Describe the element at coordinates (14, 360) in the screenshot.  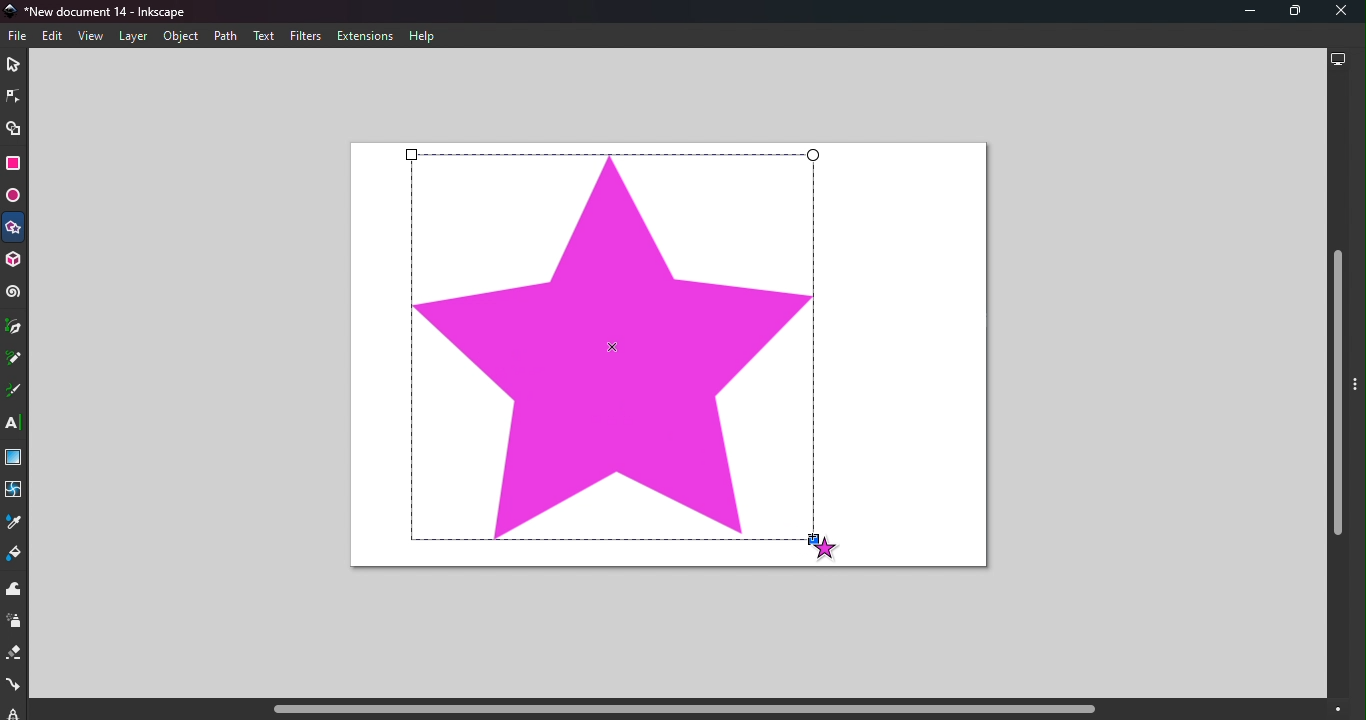
I see `Pencil tool` at that location.